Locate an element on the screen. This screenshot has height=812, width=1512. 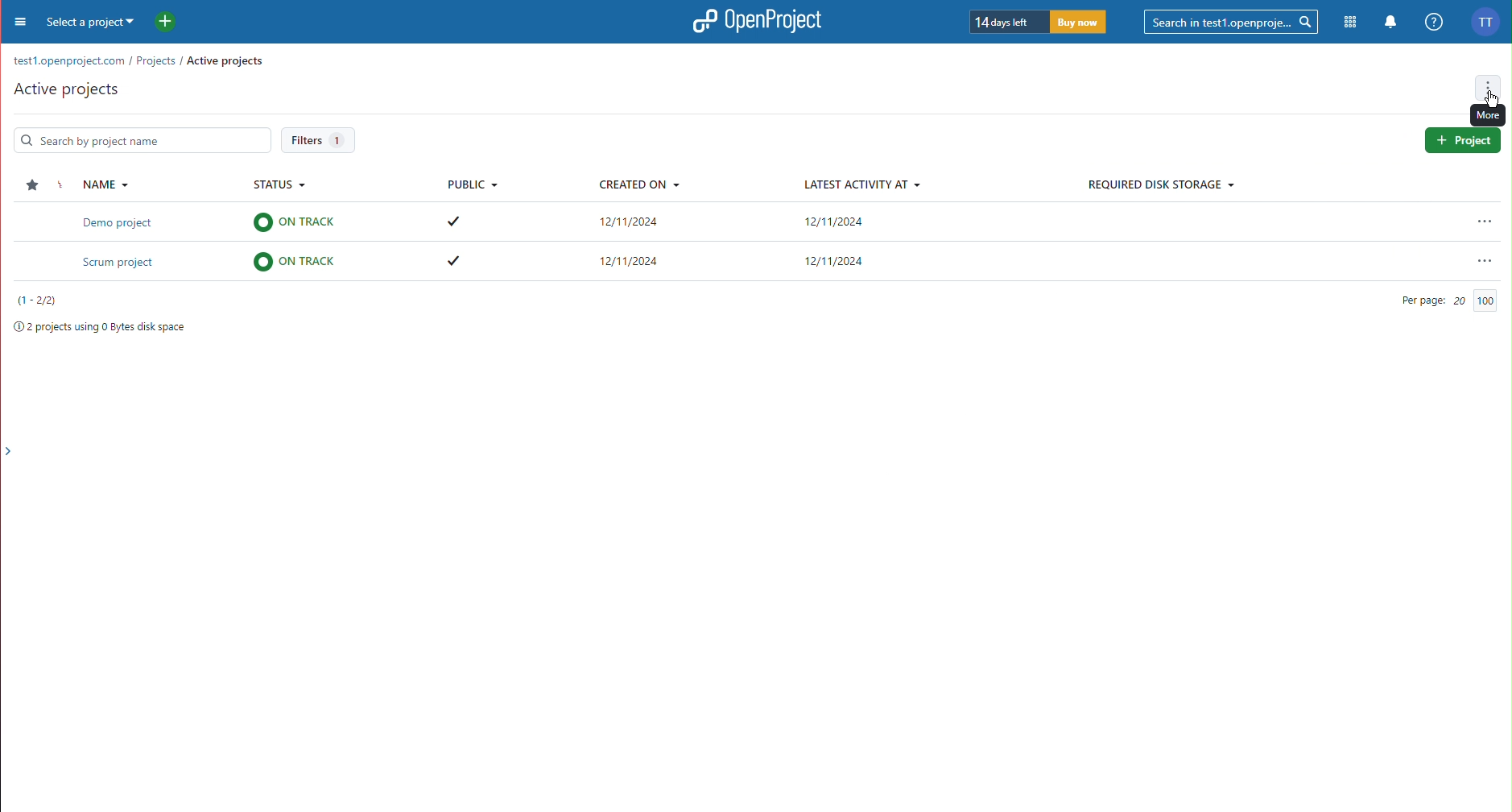
Star is located at coordinates (34, 185).